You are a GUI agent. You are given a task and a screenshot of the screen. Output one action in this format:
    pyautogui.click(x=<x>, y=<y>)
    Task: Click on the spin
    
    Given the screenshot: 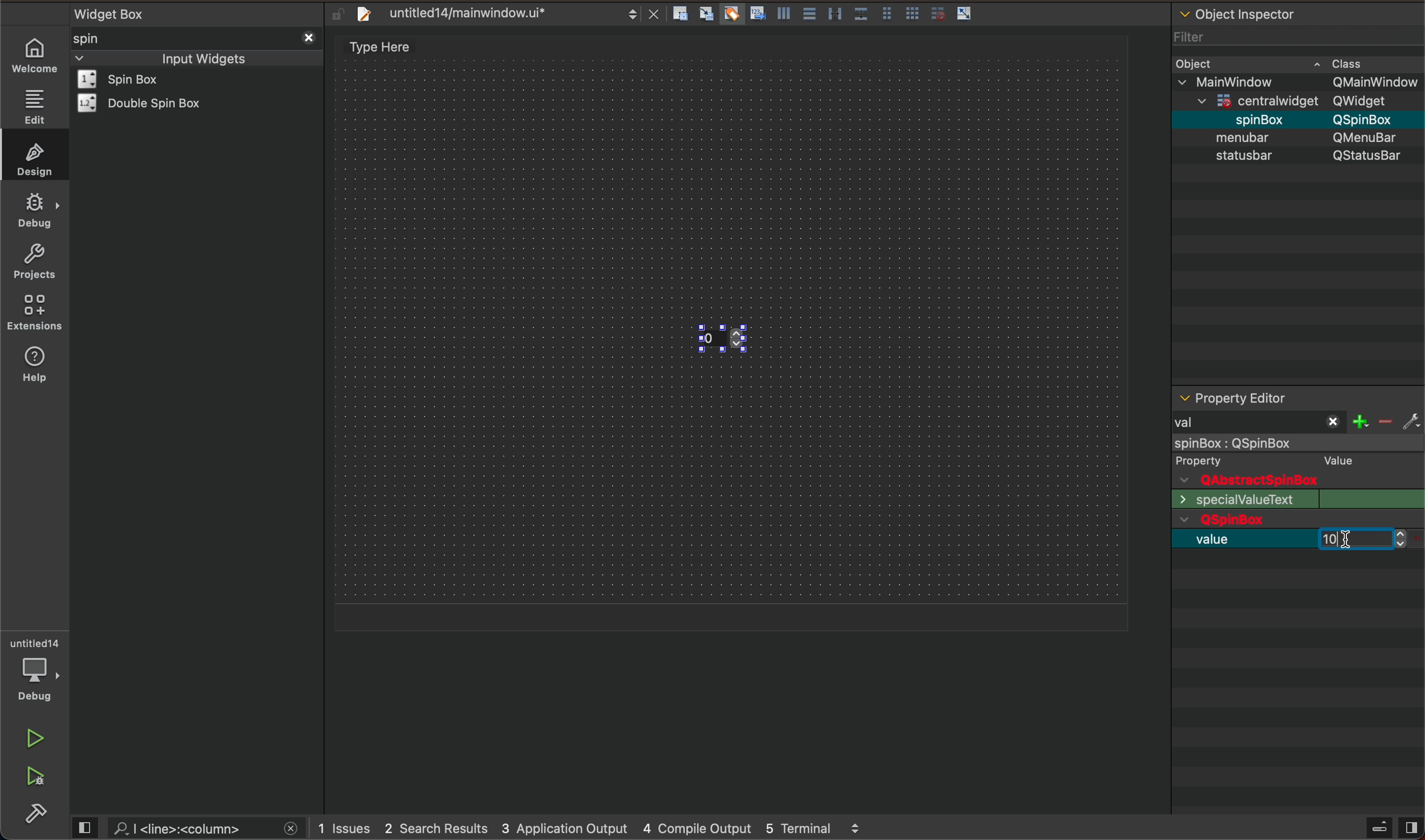 What is the action you would take?
    pyautogui.click(x=105, y=38)
    